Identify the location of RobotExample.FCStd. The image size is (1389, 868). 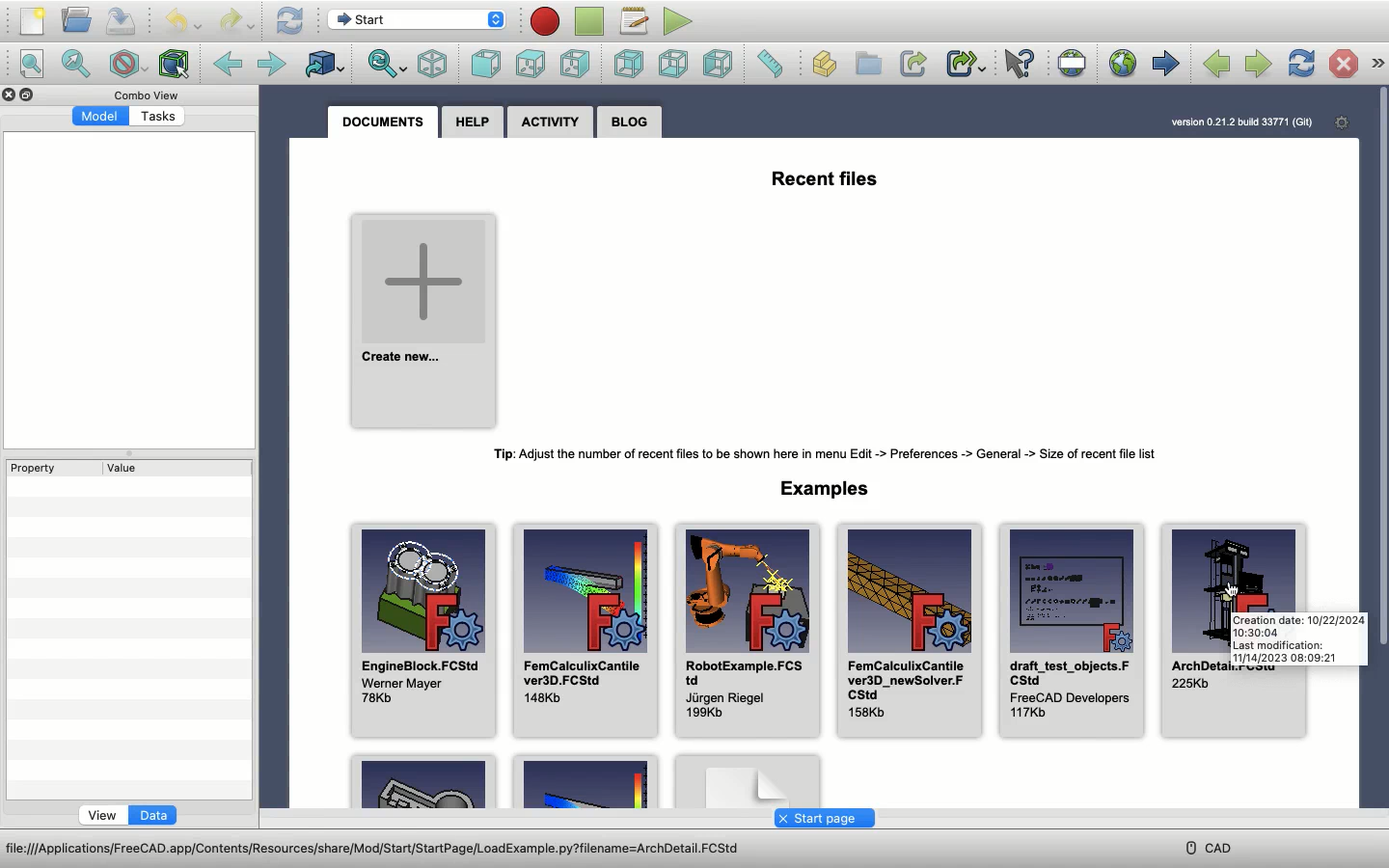
(749, 633).